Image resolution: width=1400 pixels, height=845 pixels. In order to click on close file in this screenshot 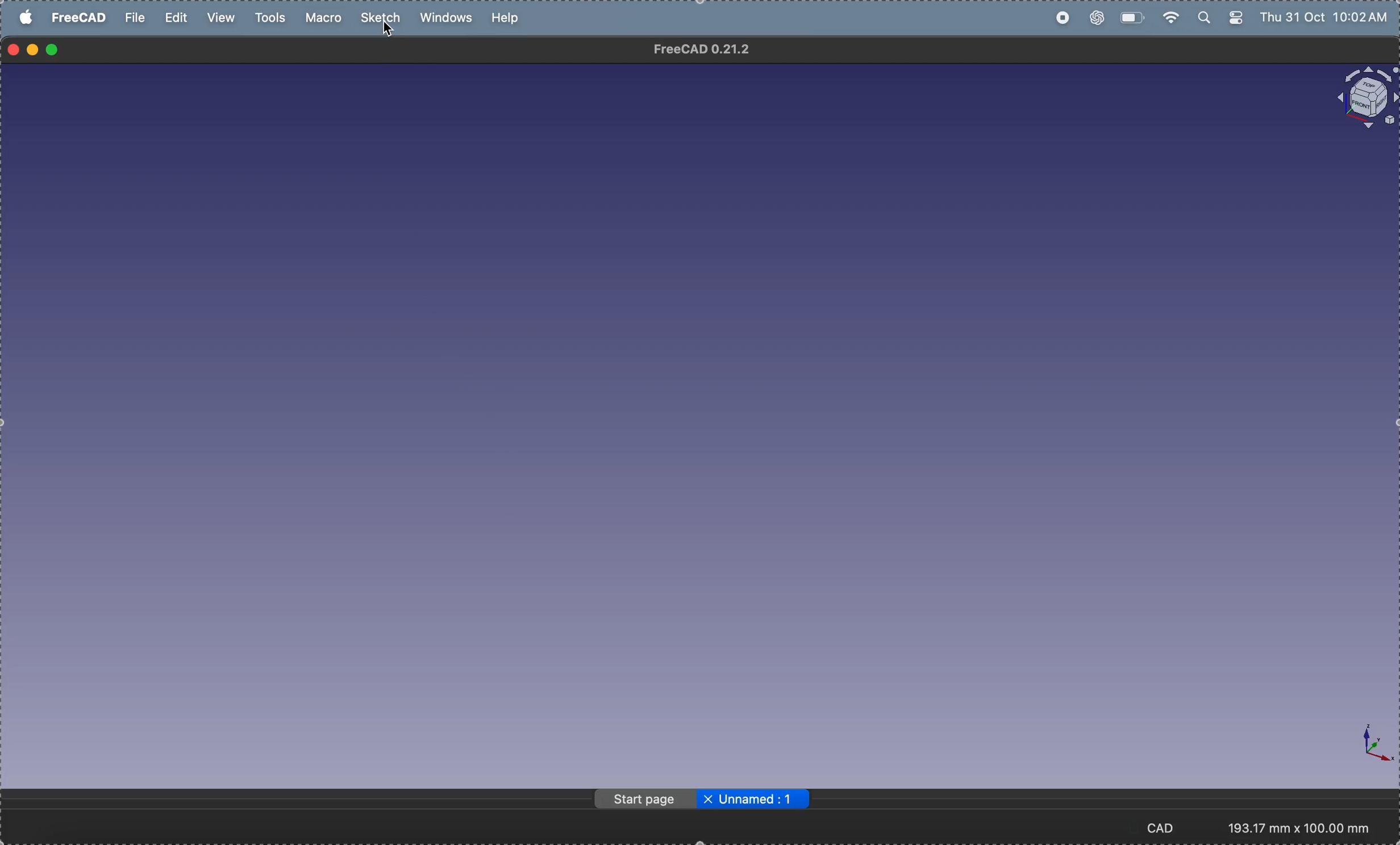, I will do `click(708, 800)`.